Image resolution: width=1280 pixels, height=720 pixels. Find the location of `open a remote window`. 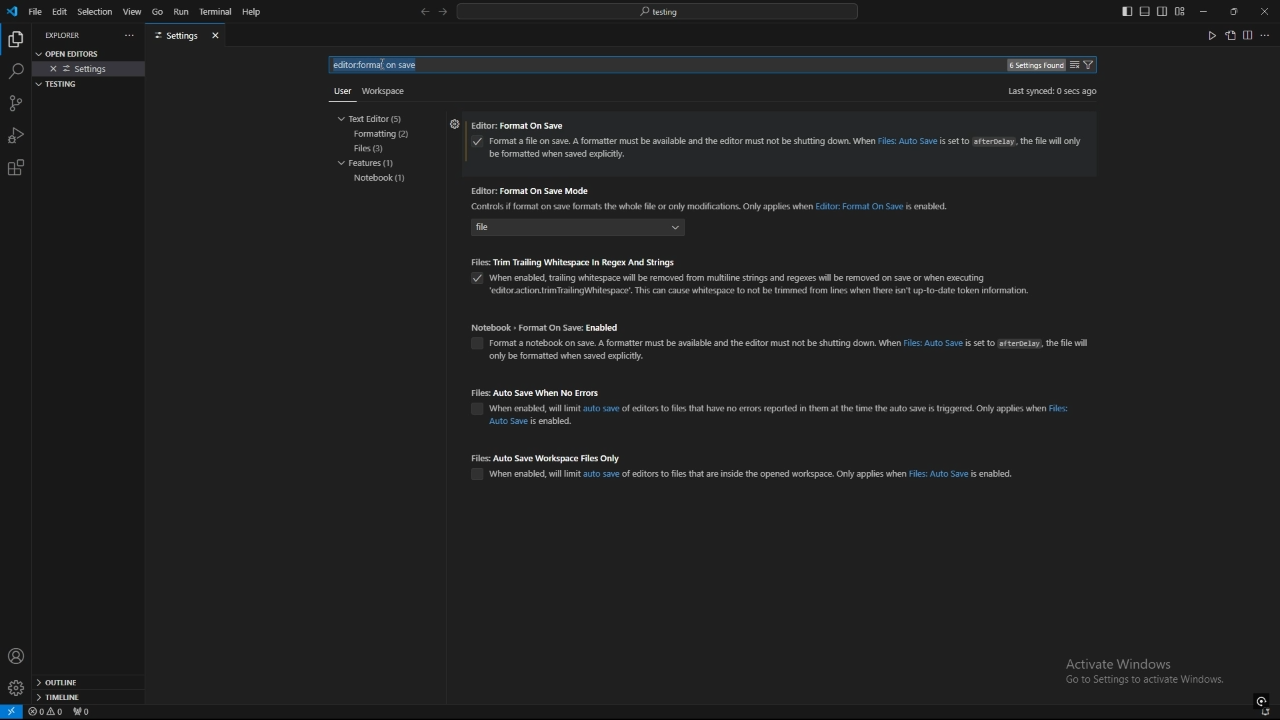

open a remote window is located at coordinates (12, 712).